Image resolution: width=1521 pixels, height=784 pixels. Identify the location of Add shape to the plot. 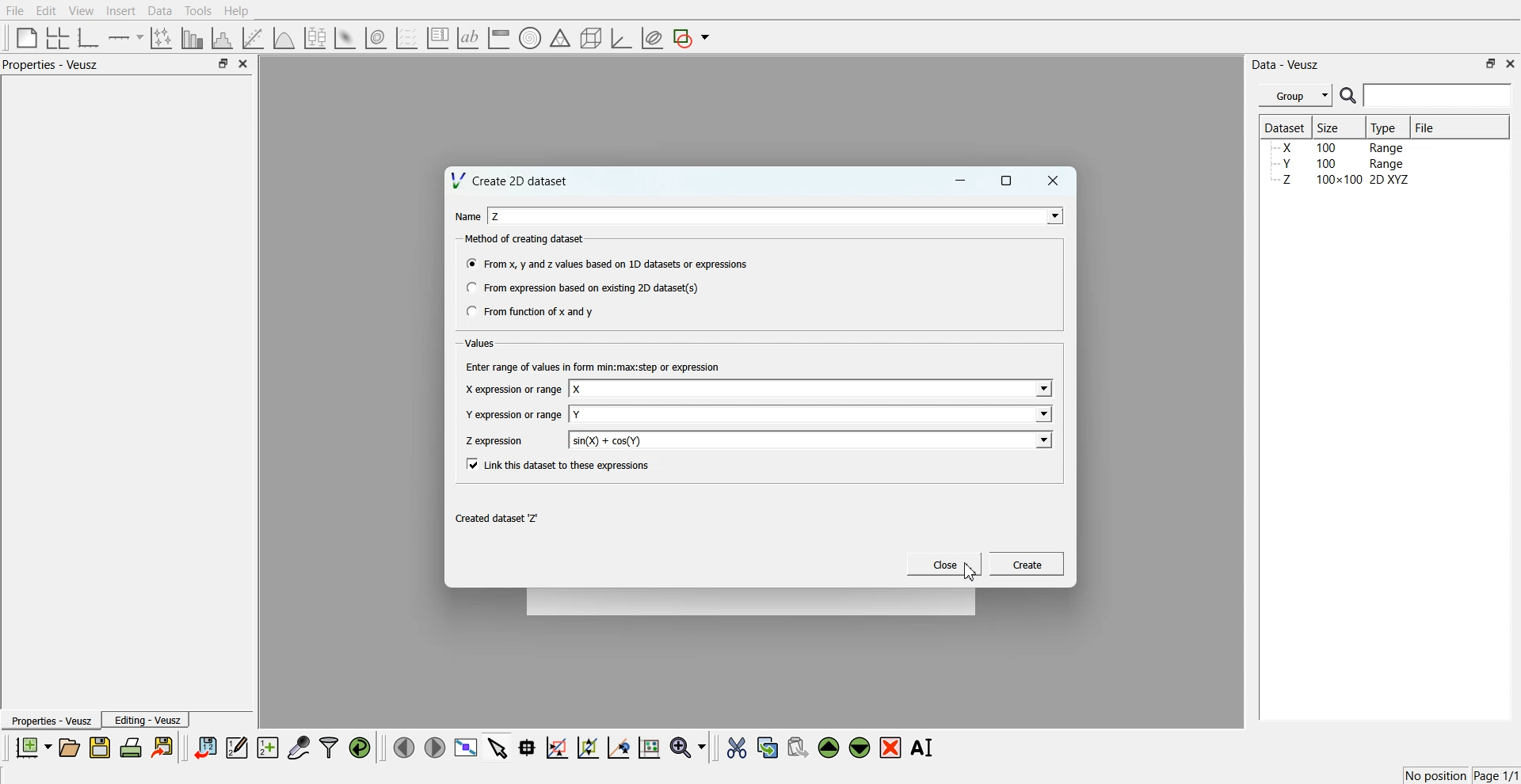
(691, 38).